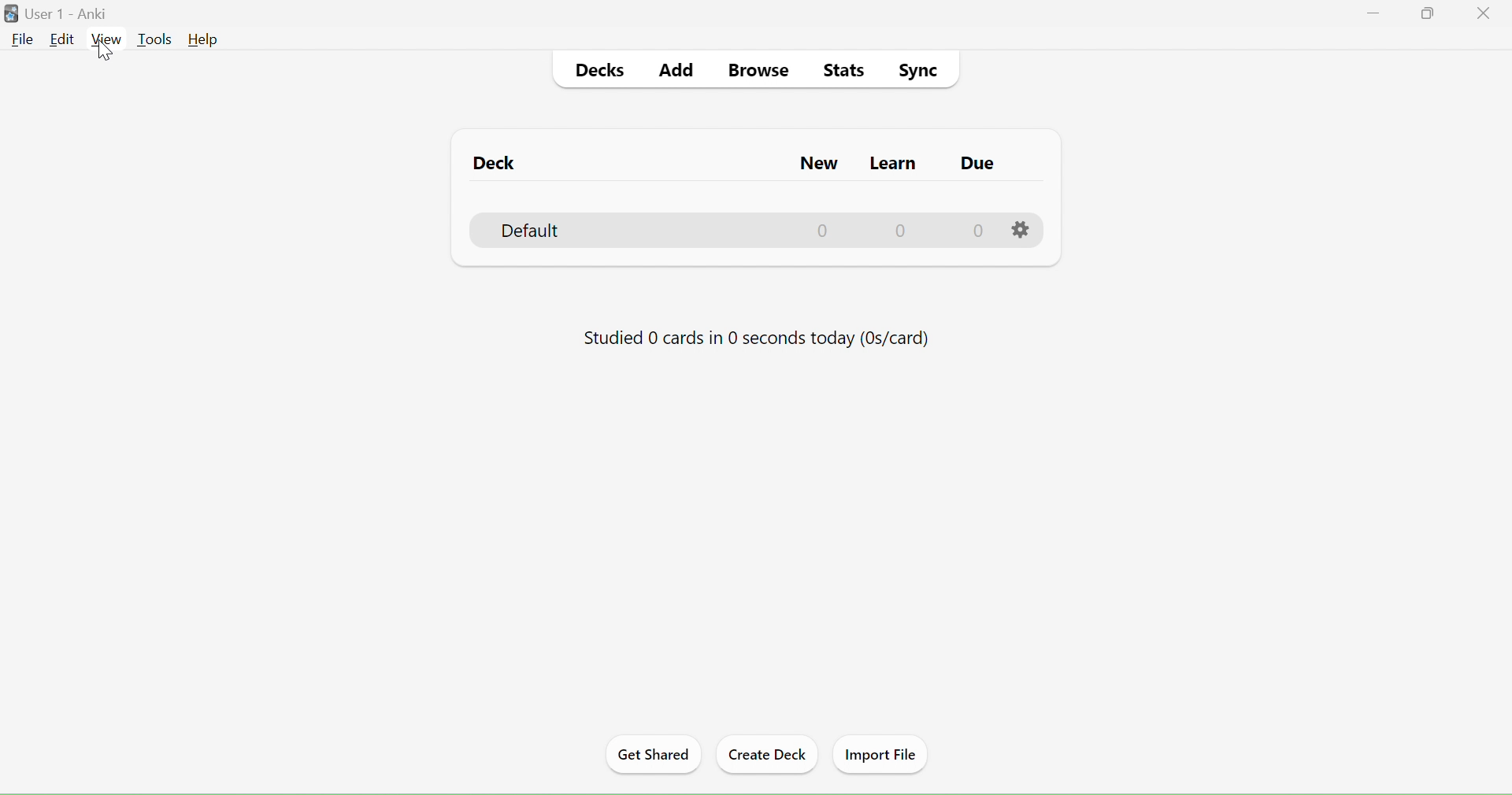 Image resolution: width=1512 pixels, height=795 pixels. I want to click on create deck, so click(768, 752).